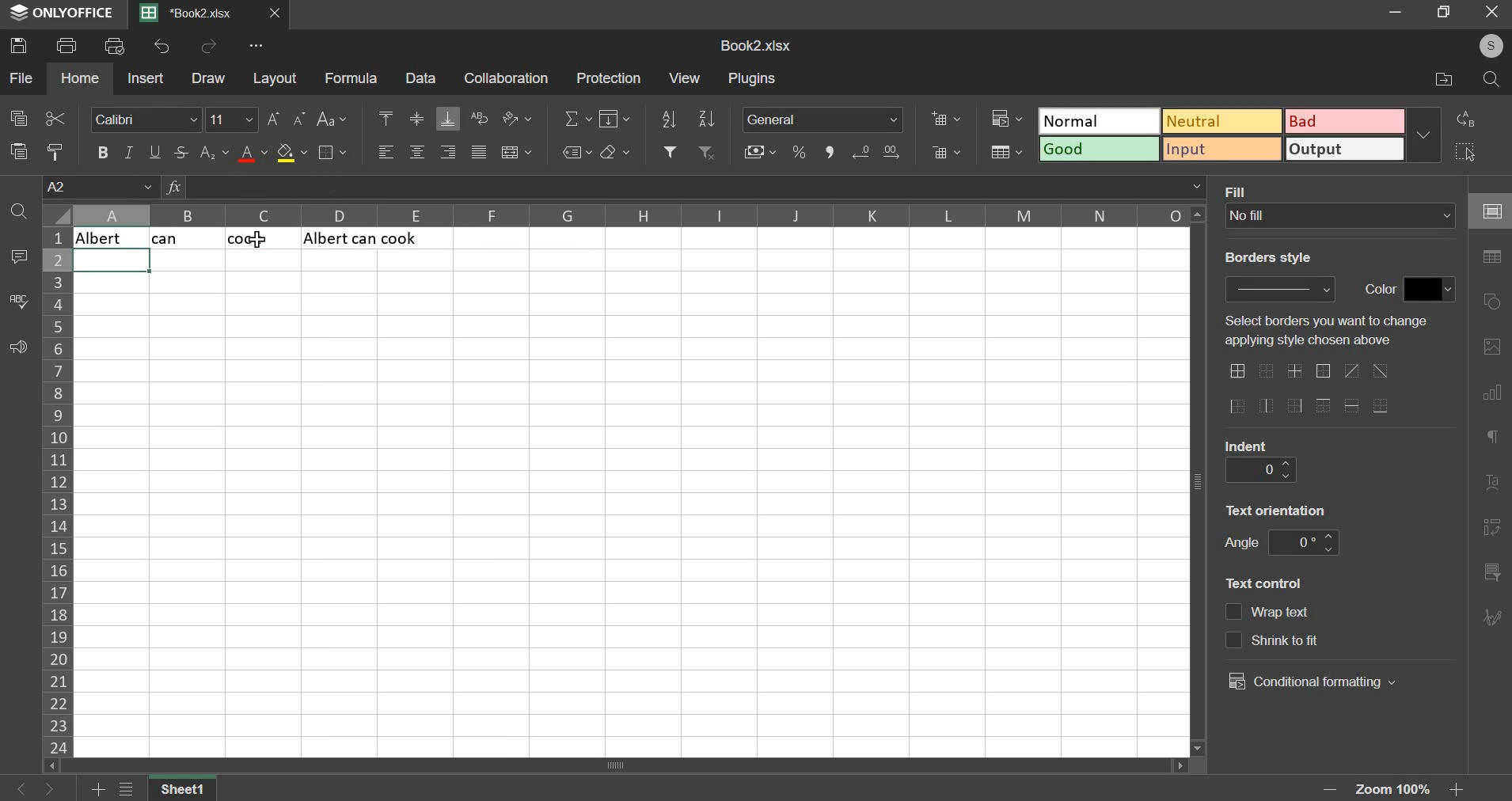 The image size is (1512, 801). What do you see at coordinates (1391, 787) in the screenshot?
I see `zoom` at bounding box center [1391, 787].